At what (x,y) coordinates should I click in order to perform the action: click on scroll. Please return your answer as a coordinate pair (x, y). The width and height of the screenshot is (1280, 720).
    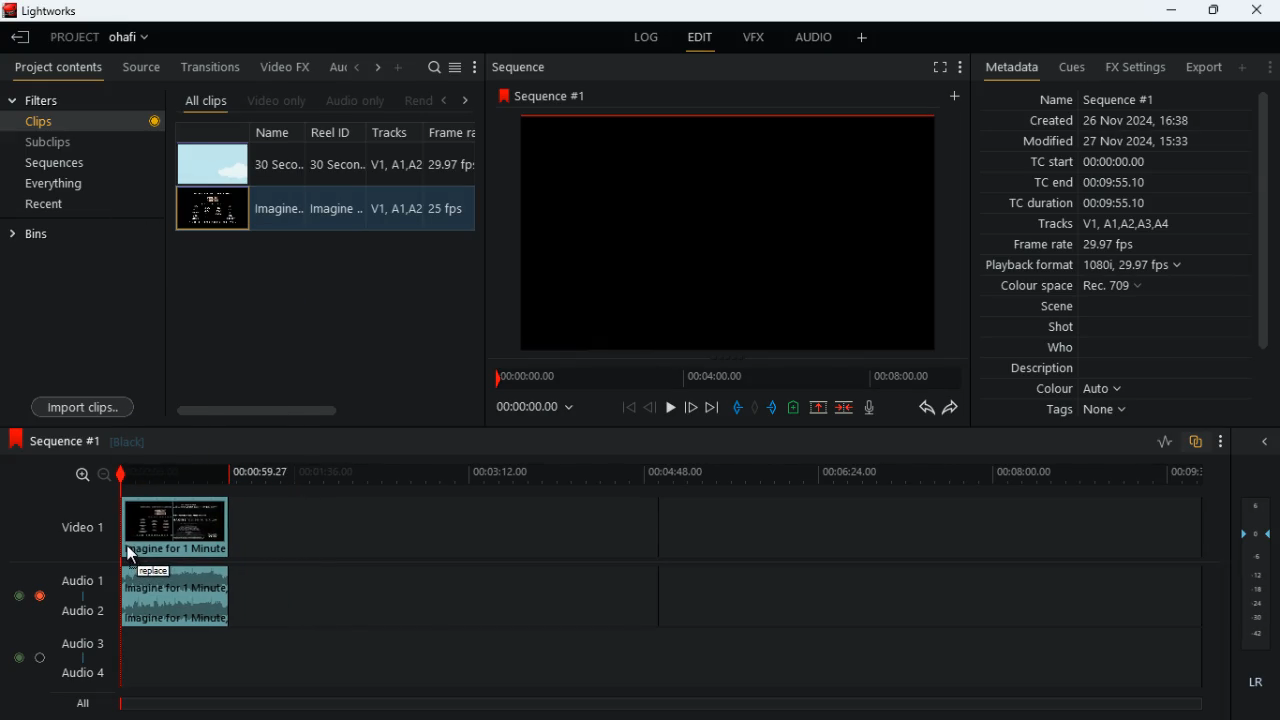
    Looking at the image, I should click on (1261, 234).